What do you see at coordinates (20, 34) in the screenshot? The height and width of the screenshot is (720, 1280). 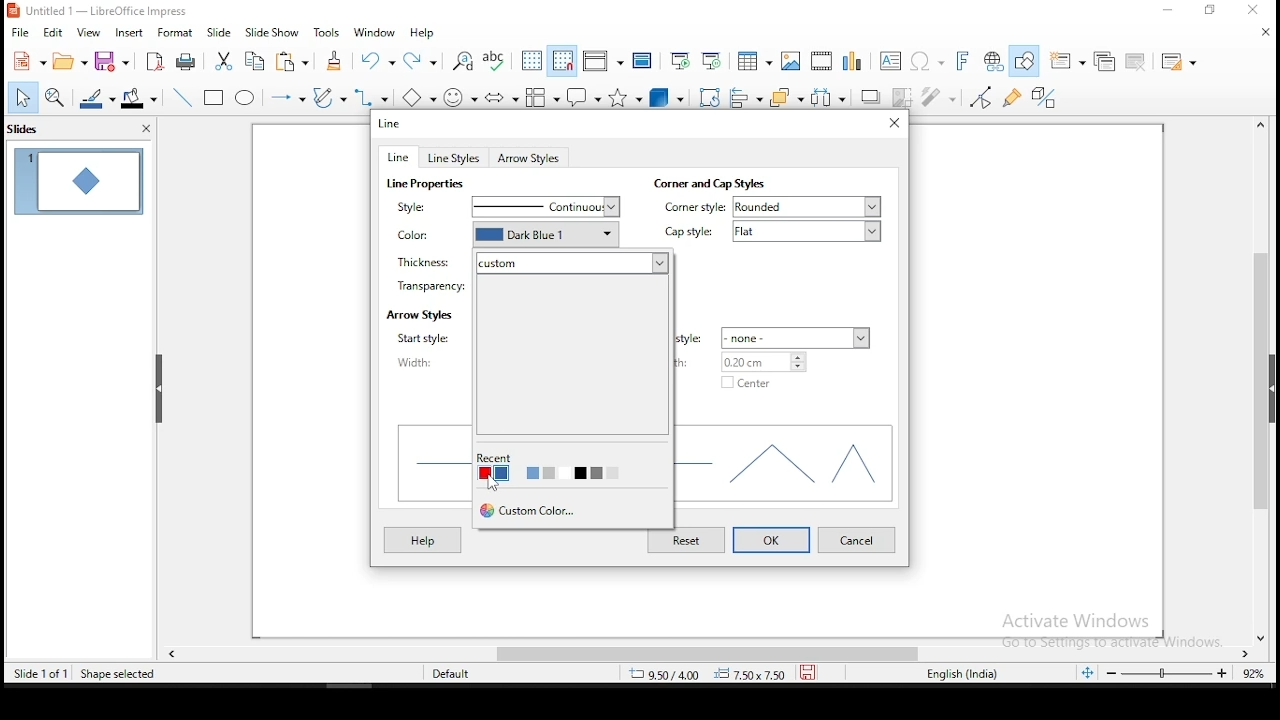 I see `file` at bounding box center [20, 34].